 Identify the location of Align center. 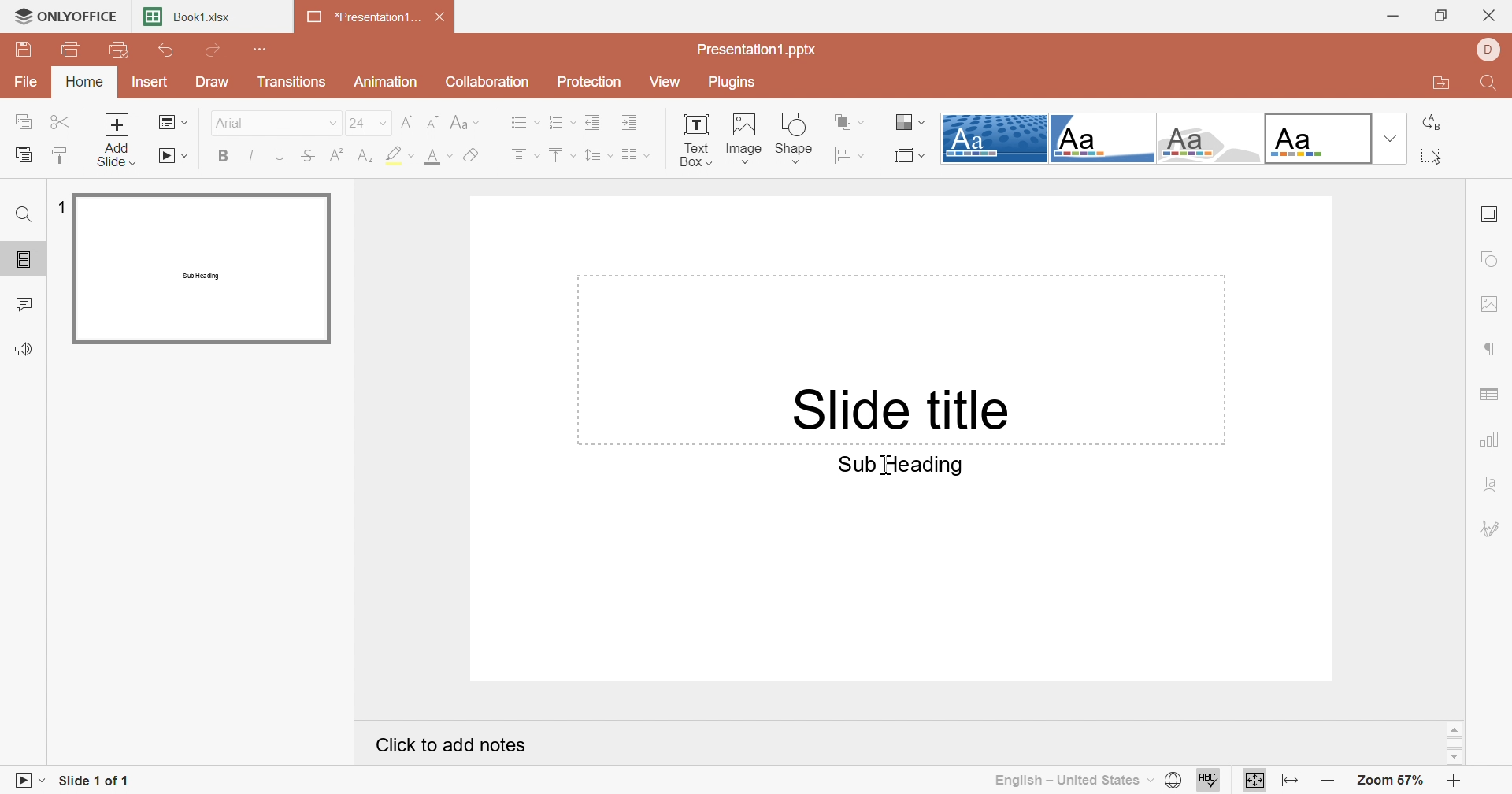
(527, 154).